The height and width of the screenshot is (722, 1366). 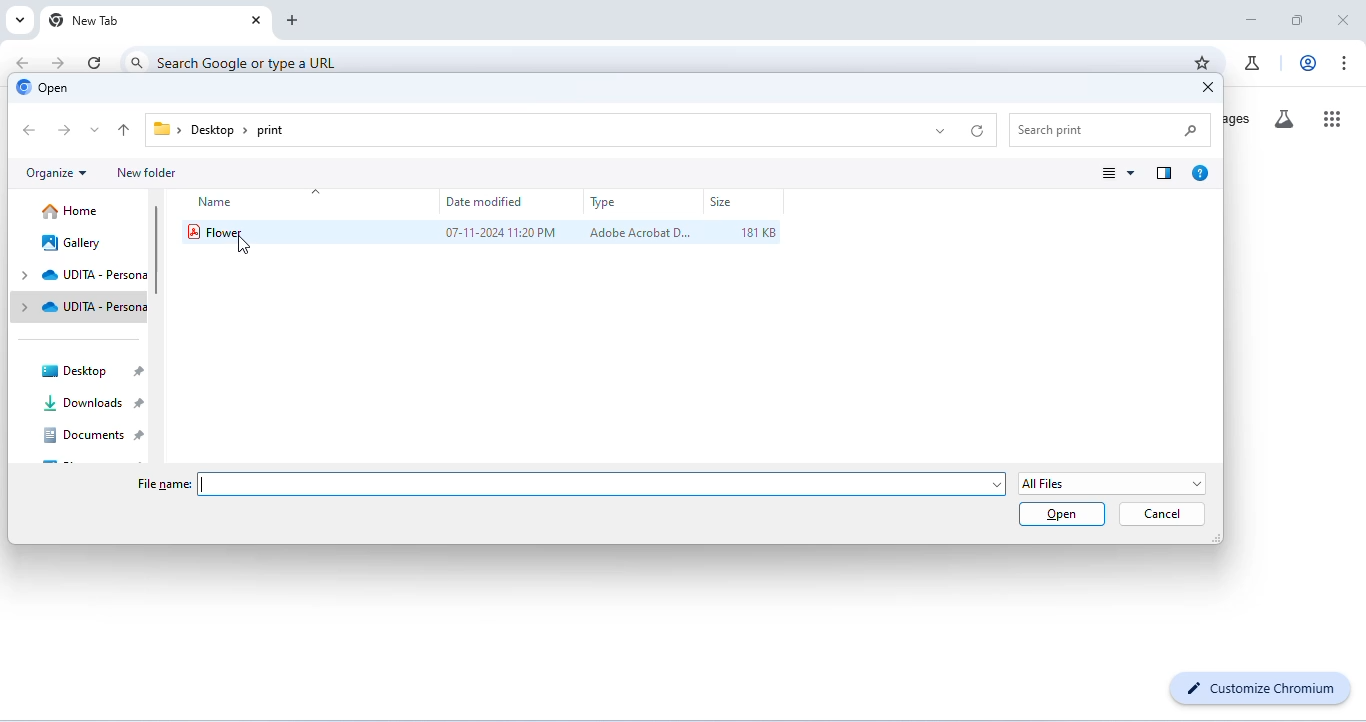 I want to click on drop down, so click(x=943, y=132).